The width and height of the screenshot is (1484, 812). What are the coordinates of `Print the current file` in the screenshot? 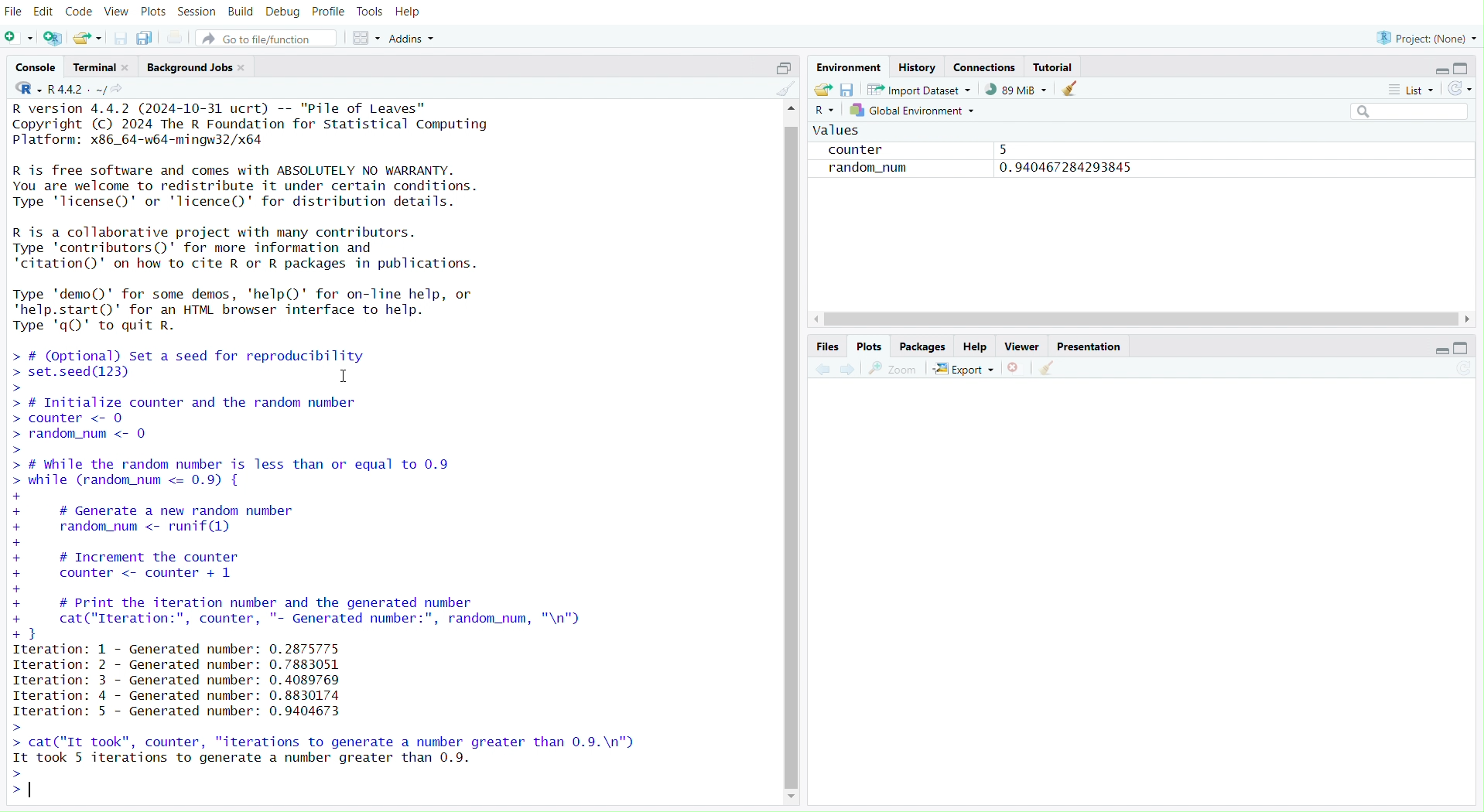 It's located at (173, 37).